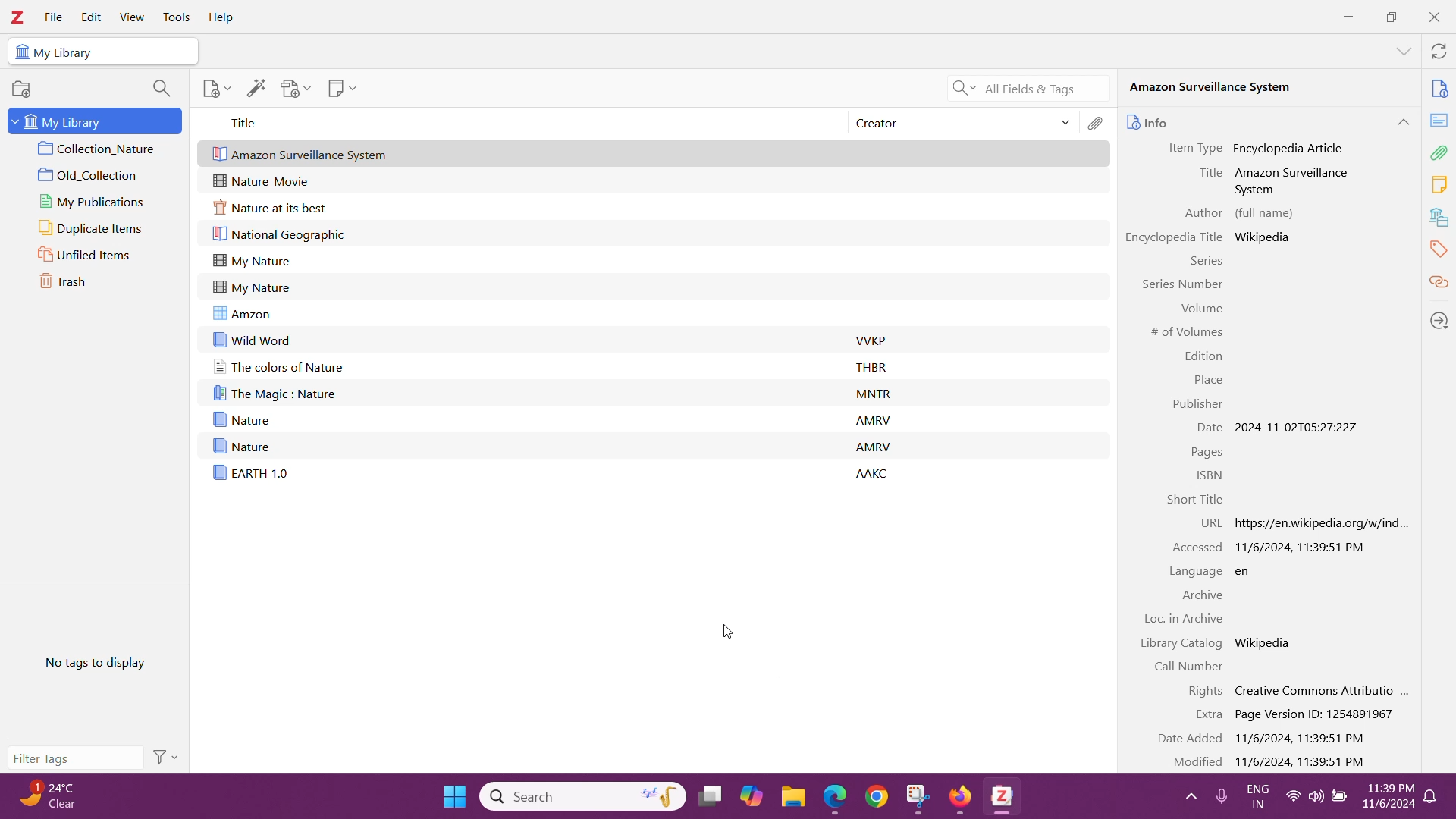  I want to click on snipping tool, so click(917, 795).